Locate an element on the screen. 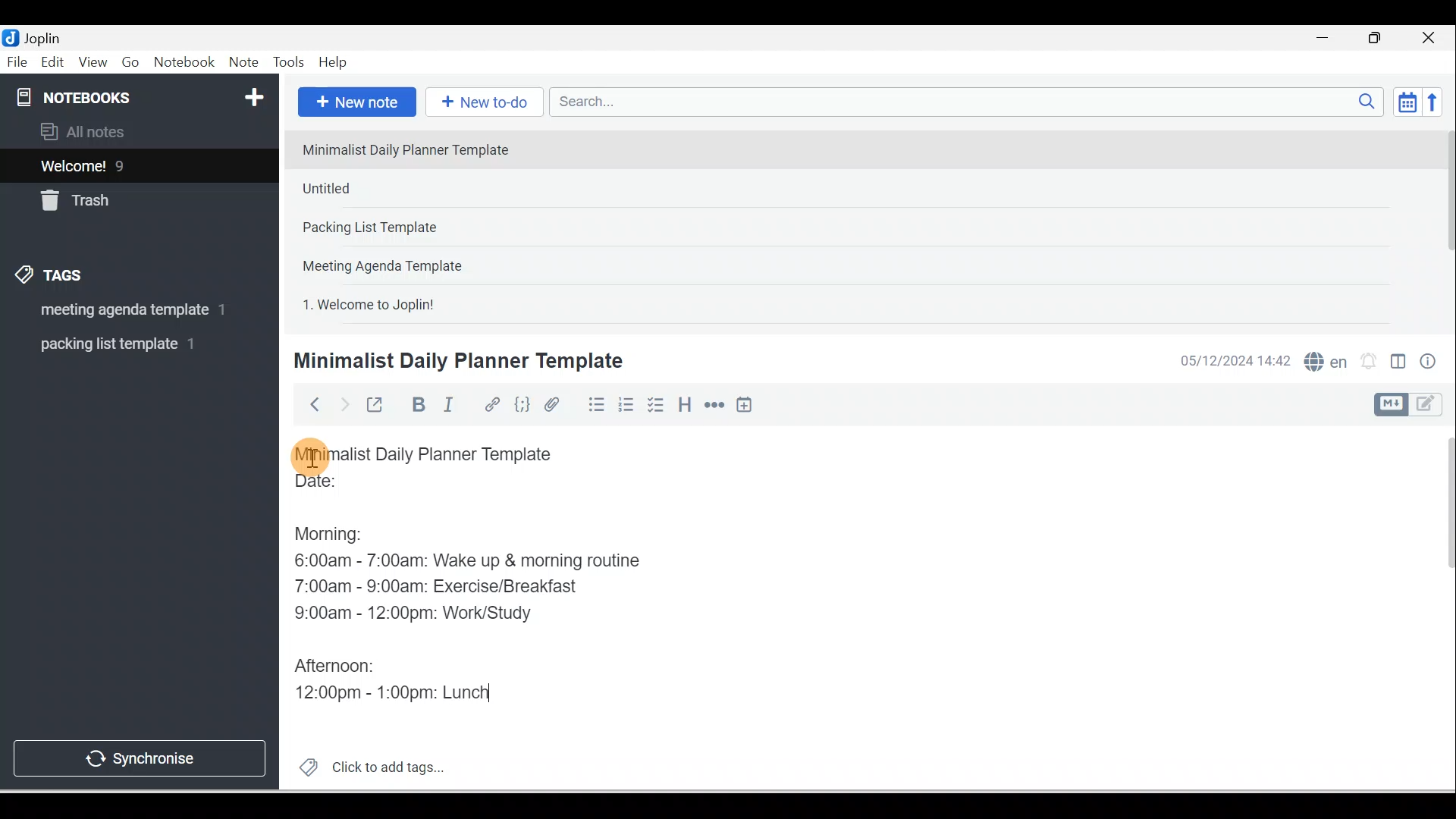 Image resolution: width=1456 pixels, height=819 pixels. Spelling is located at coordinates (1323, 359).